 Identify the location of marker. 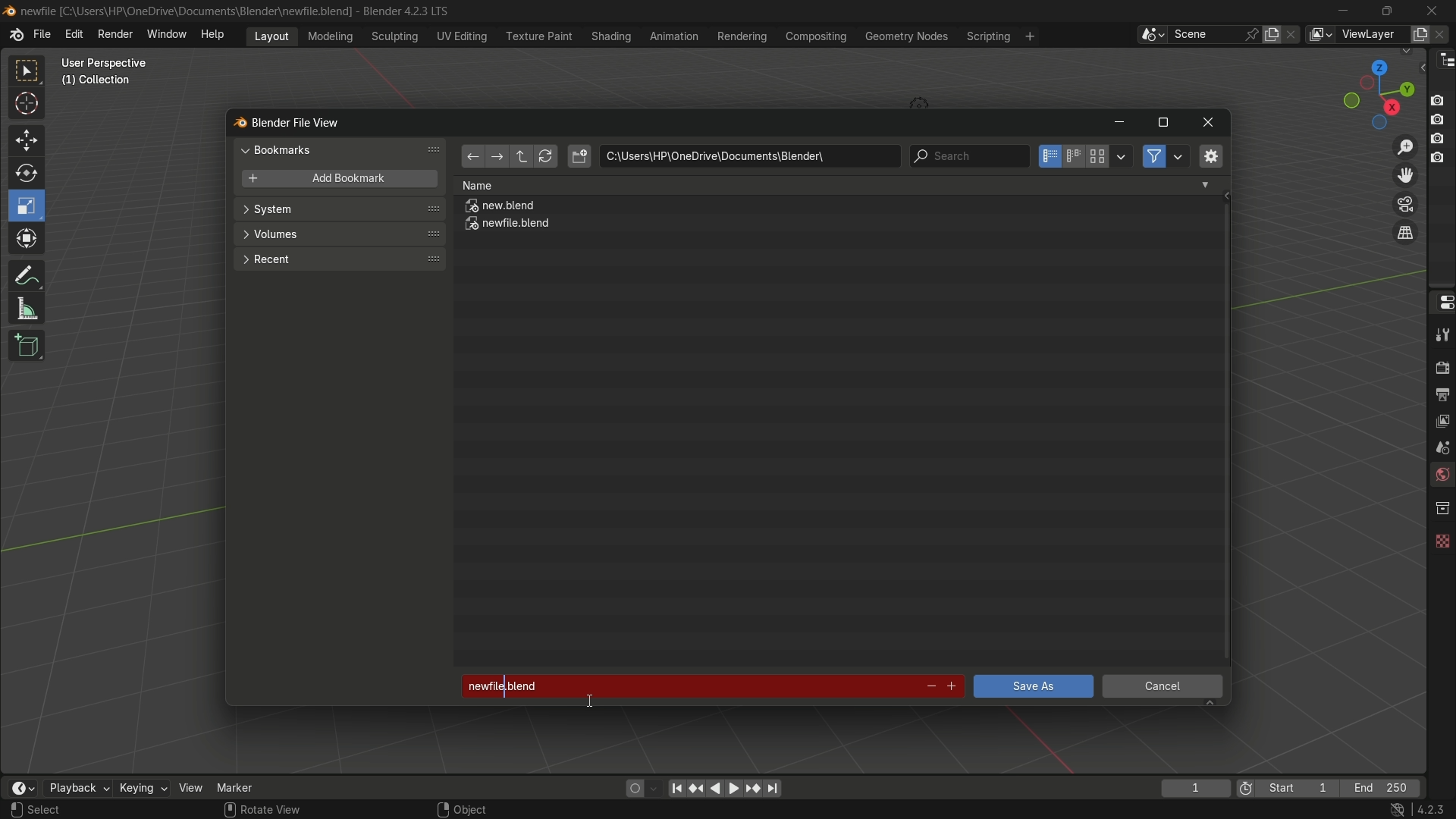
(246, 786).